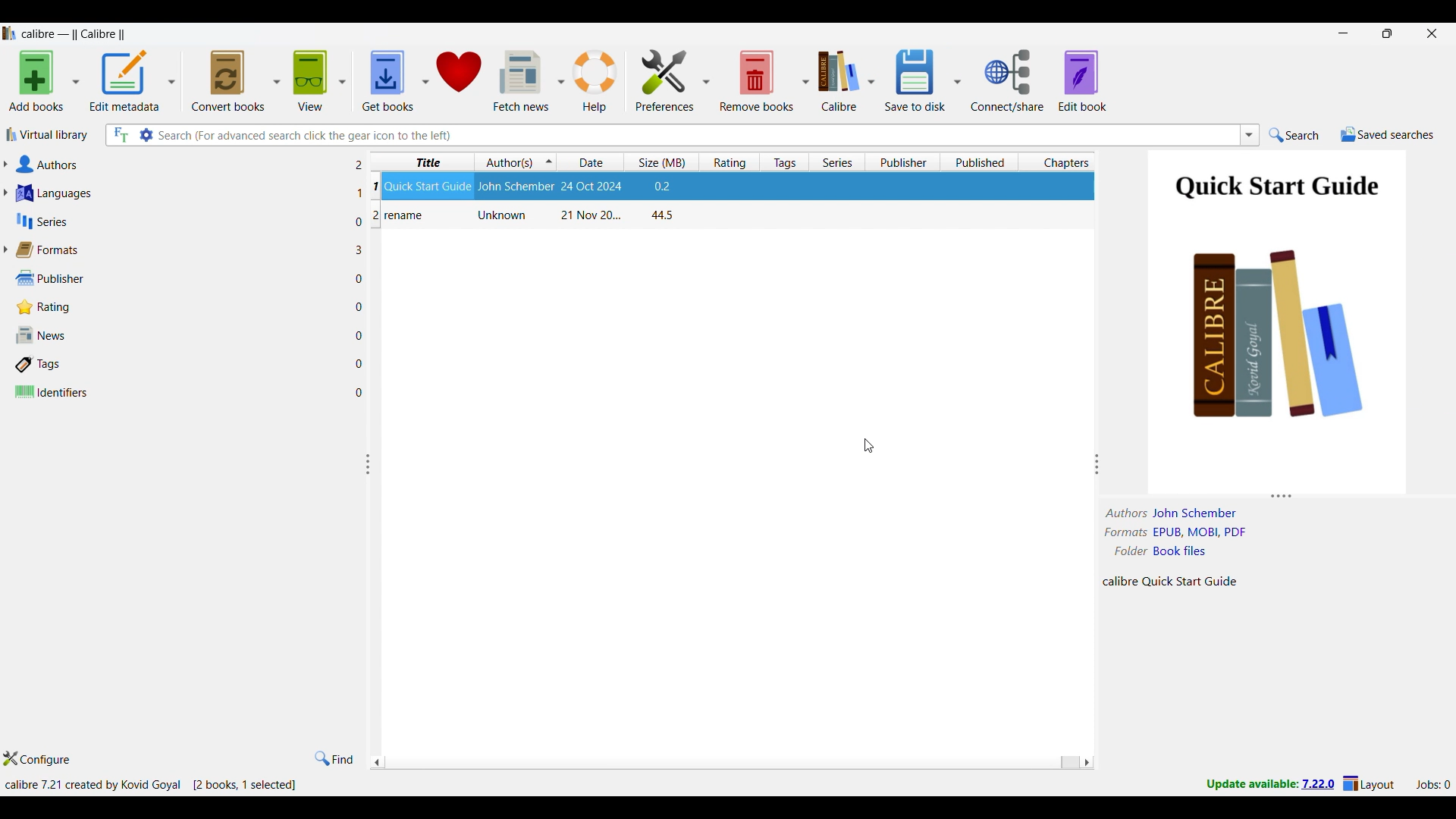 Image resolution: width=1456 pixels, height=819 pixels. Describe the element at coordinates (362, 249) in the screenshot. I see `3` at that location.